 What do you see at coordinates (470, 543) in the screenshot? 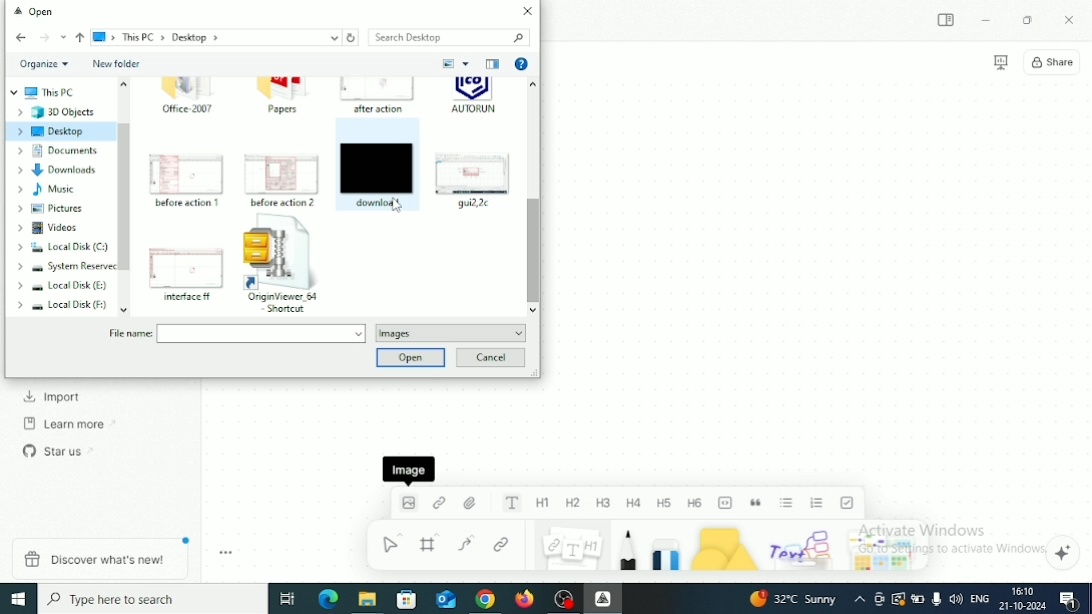
I see `Curve` at bounding box center [470, 543].